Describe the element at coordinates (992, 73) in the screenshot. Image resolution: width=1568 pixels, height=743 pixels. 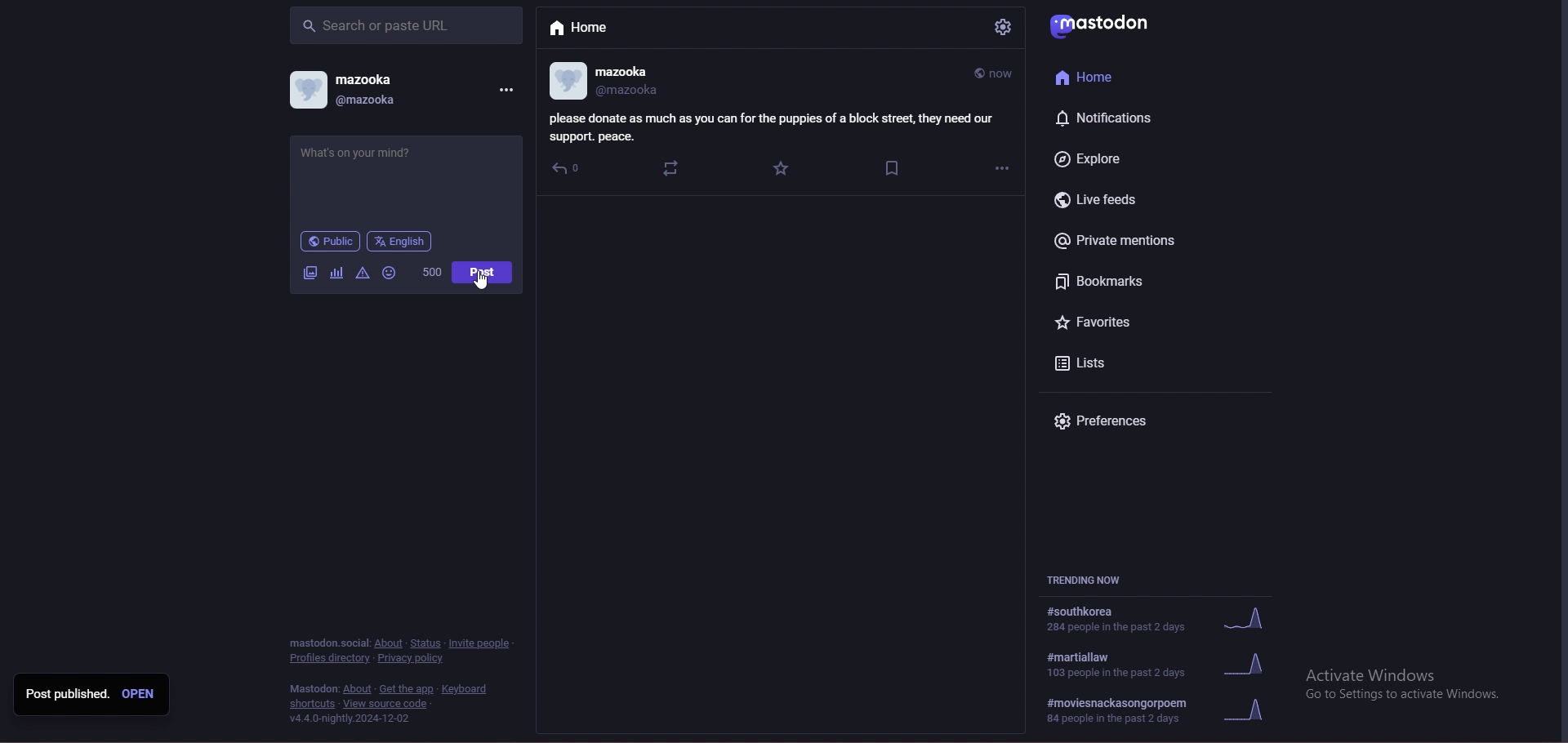
I see `time` at that location.